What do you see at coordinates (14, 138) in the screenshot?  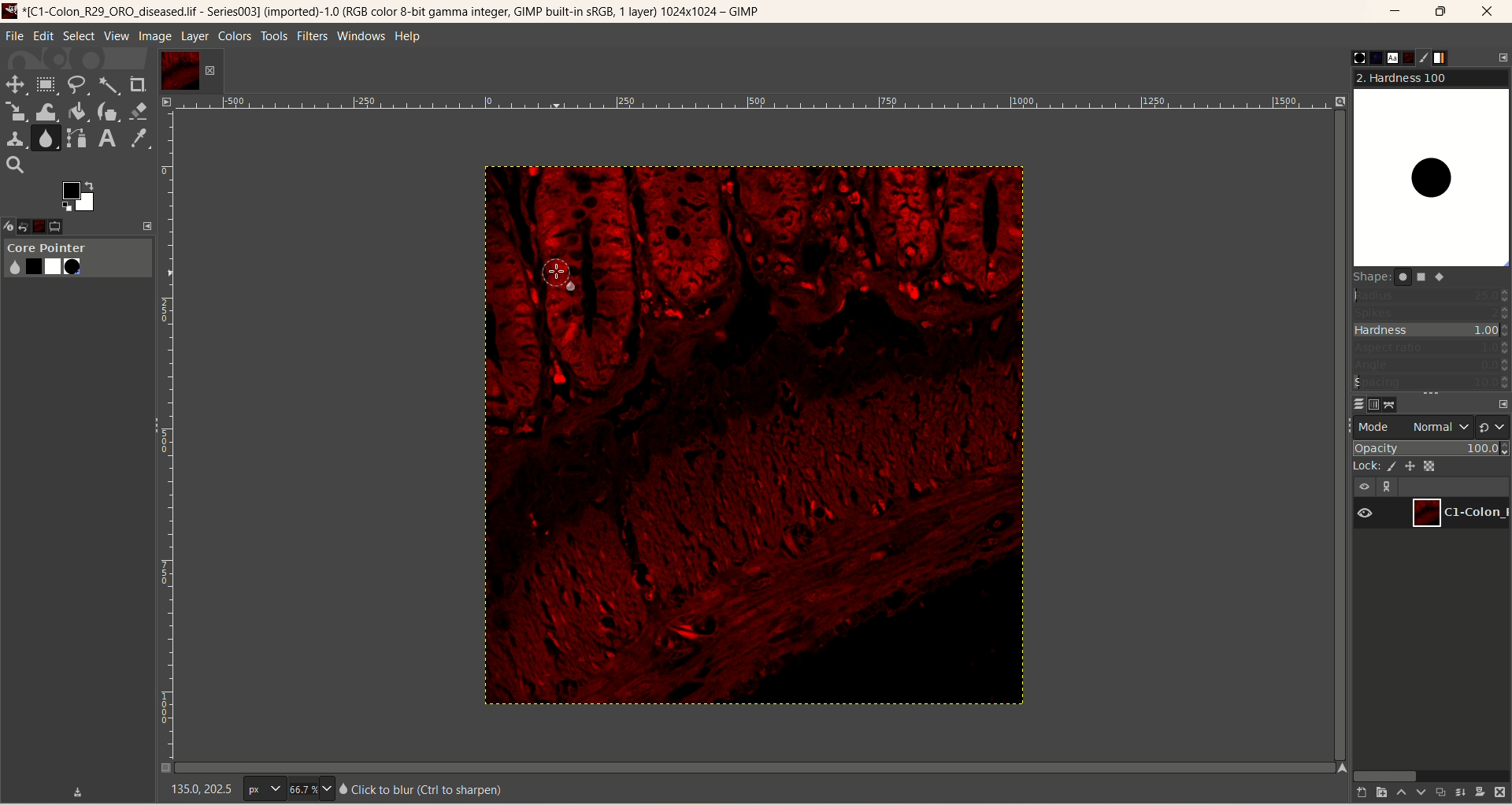 I see `clone tool` at bounding box center [14, 138].